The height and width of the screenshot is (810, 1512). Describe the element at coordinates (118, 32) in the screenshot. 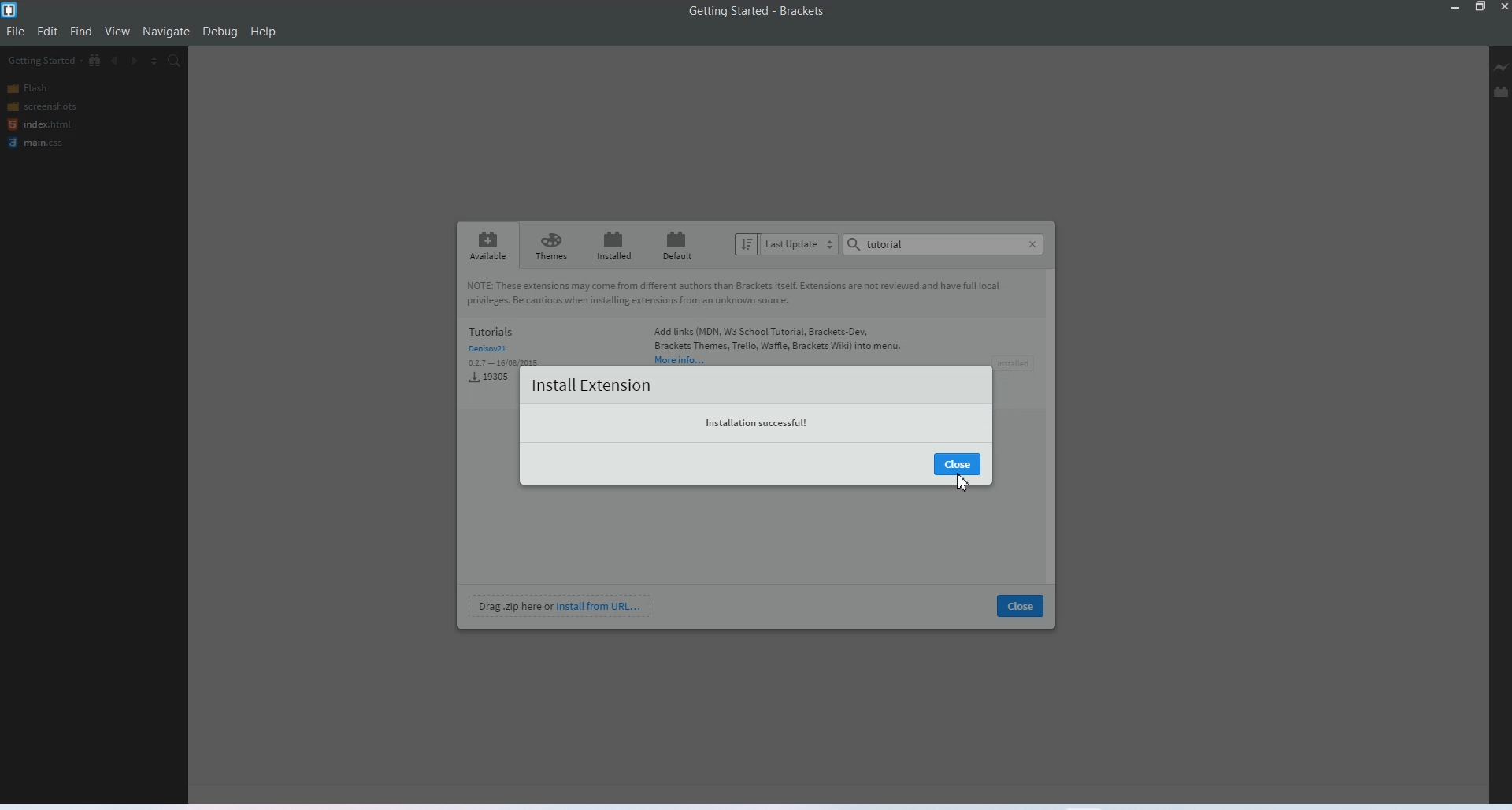

I see `View` at that location.